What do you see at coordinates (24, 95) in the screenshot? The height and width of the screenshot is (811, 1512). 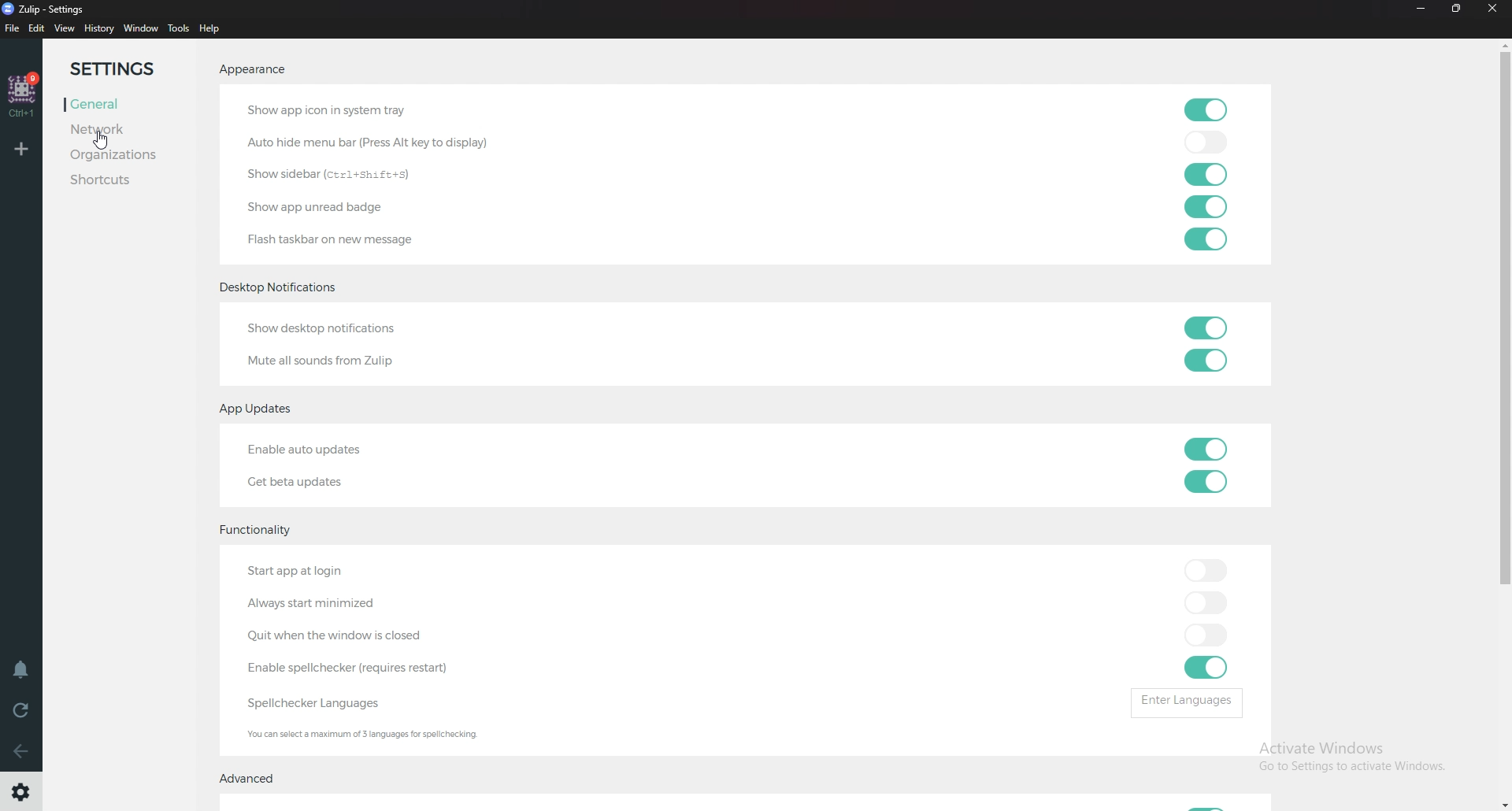 I see `Home` at bounding box center [24, 95].